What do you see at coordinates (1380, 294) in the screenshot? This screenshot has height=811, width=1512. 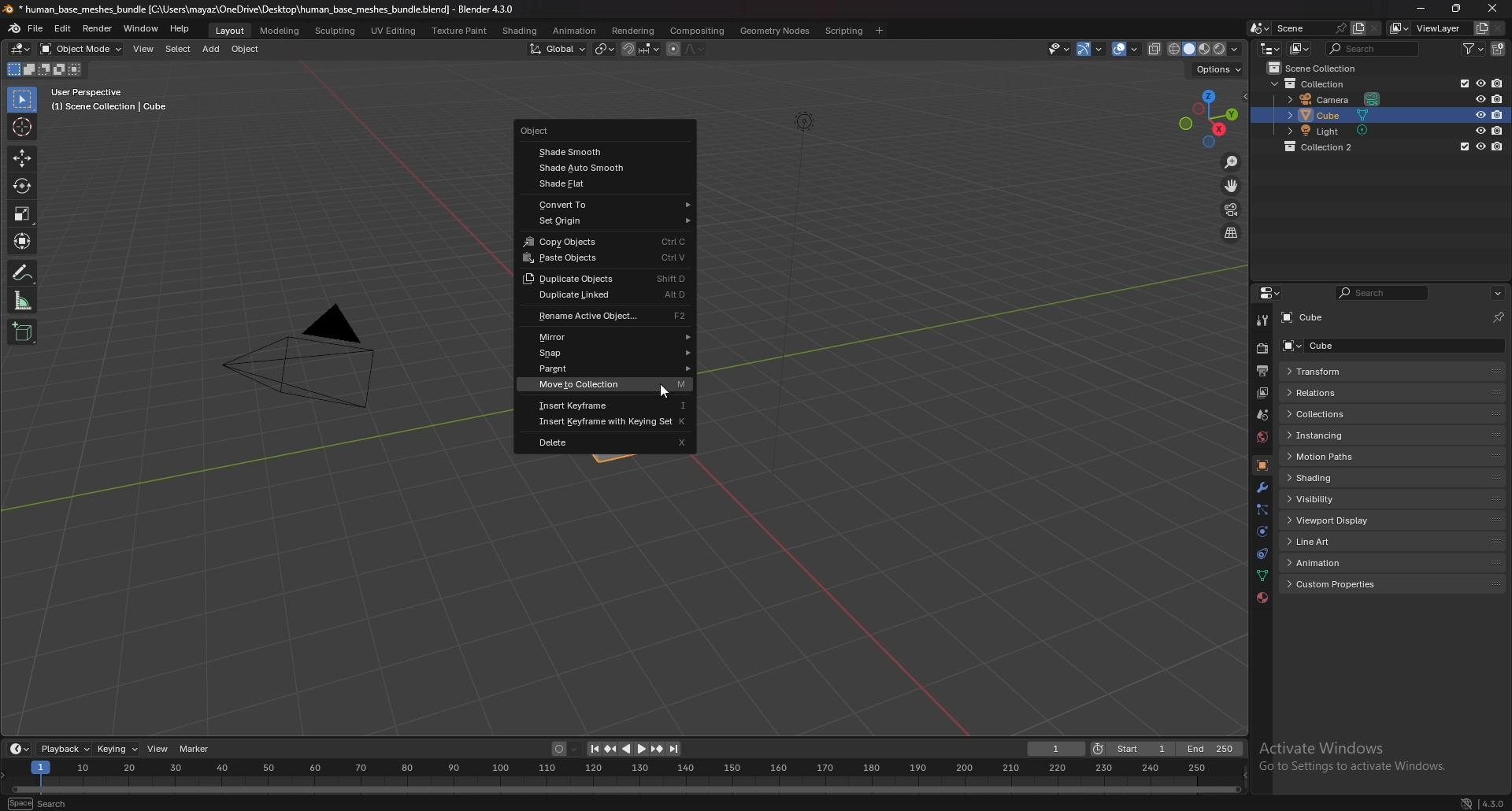 I see `search` at bounding box center [1380, 294].